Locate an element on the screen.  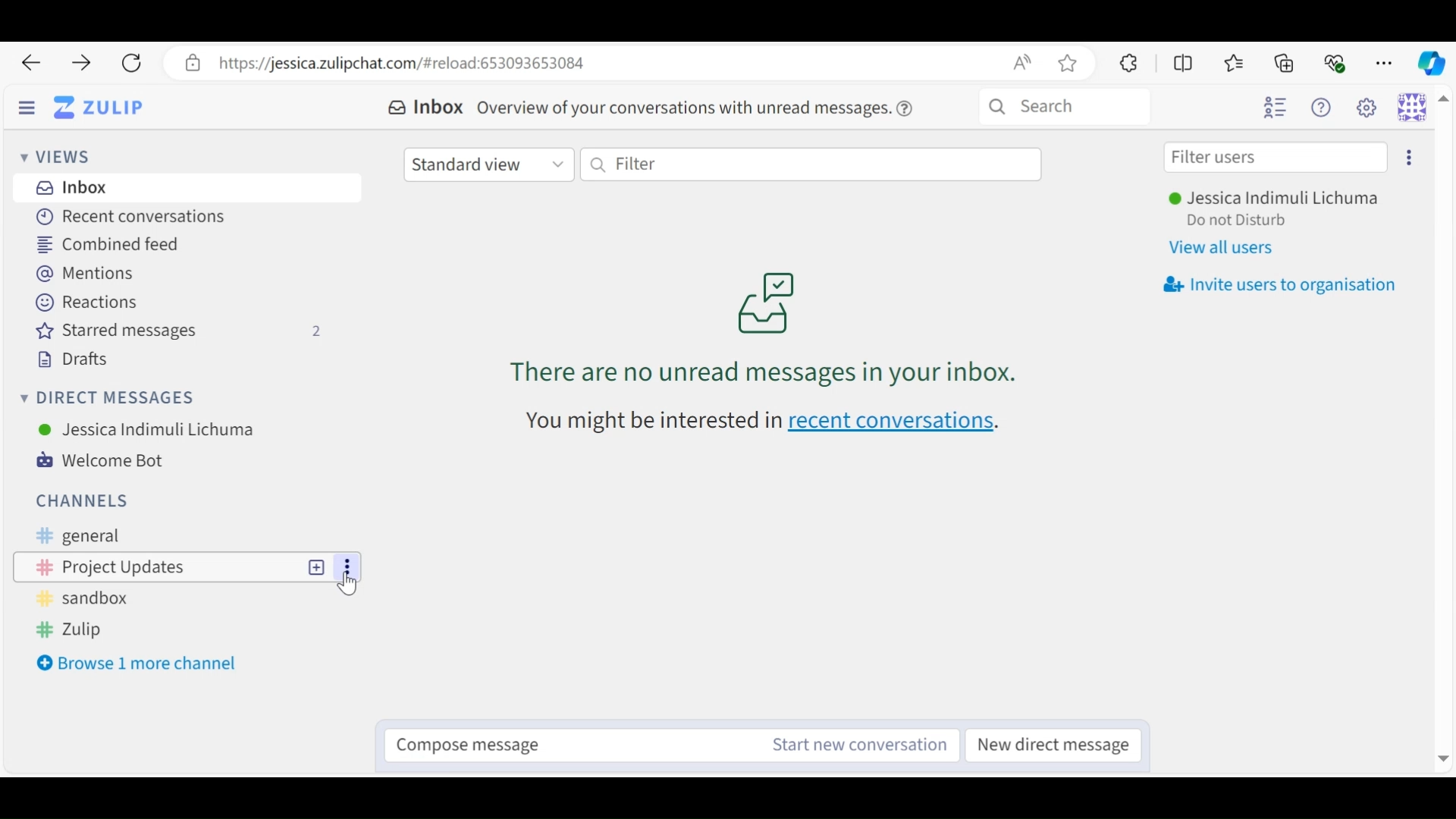
Use is located at coordinates (147, 428).